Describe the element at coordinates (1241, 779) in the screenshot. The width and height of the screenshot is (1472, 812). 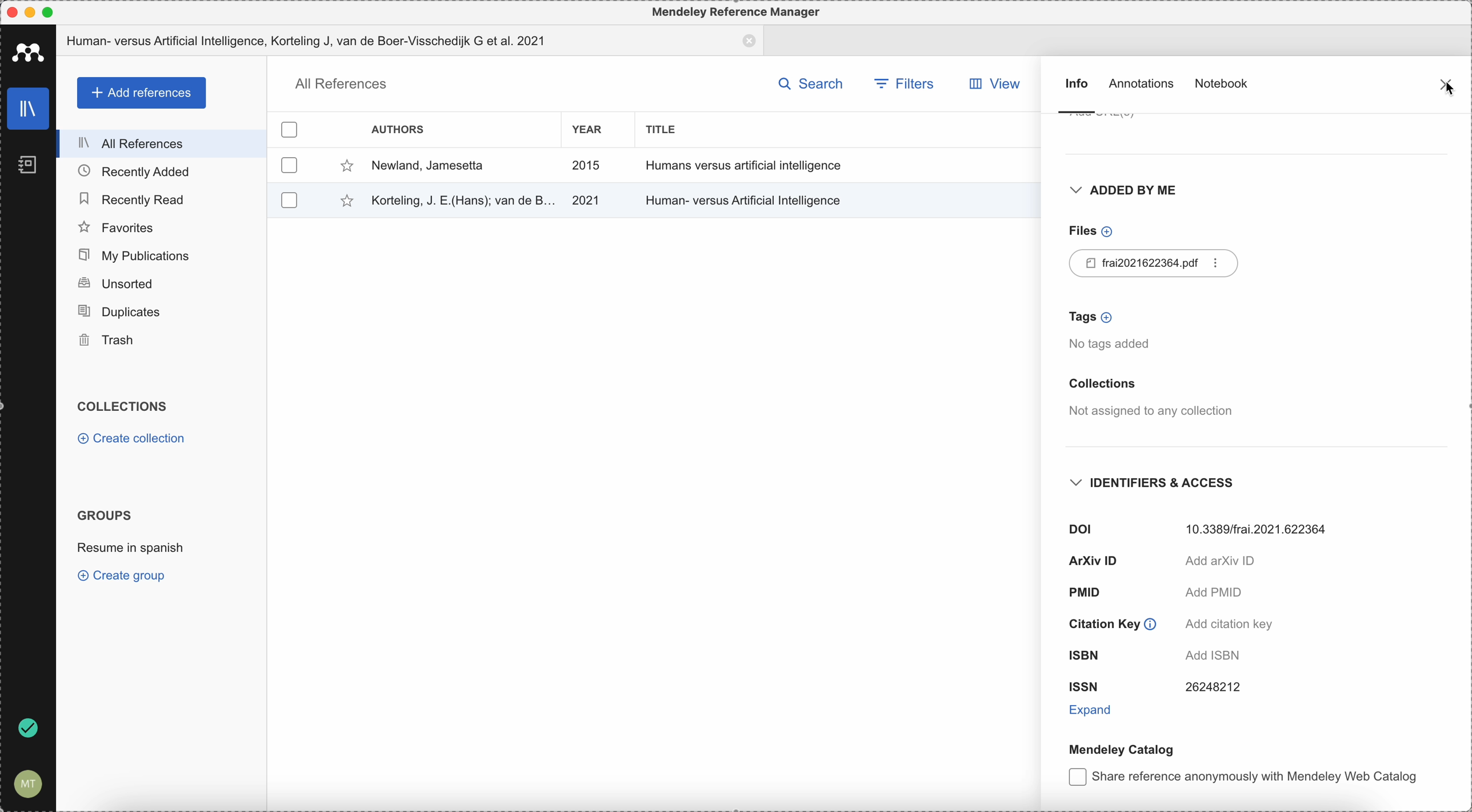
I see `Share reference anonymously with Mendeley Web Catalog` at that location.